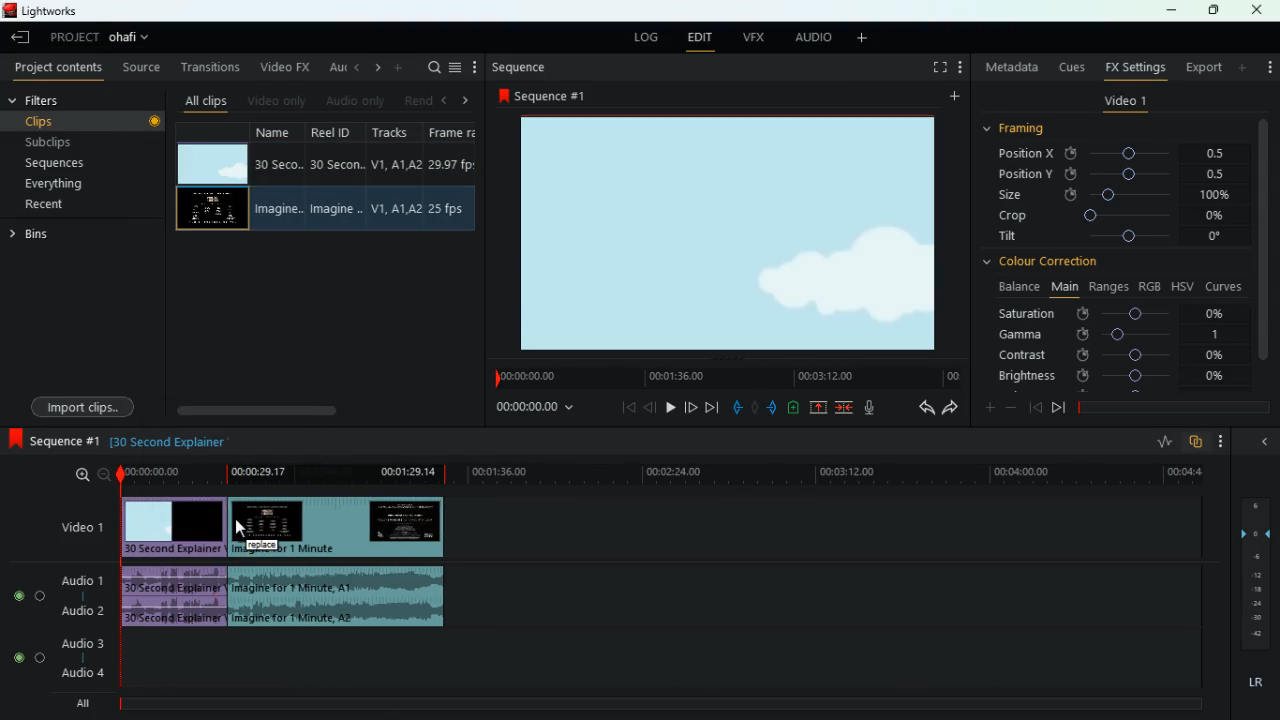 Image resolution: width=1280 pixels, height=720 pixels. Describe the element at coordinates (940, 69) in the screenshot. I see `full screen` at that location.